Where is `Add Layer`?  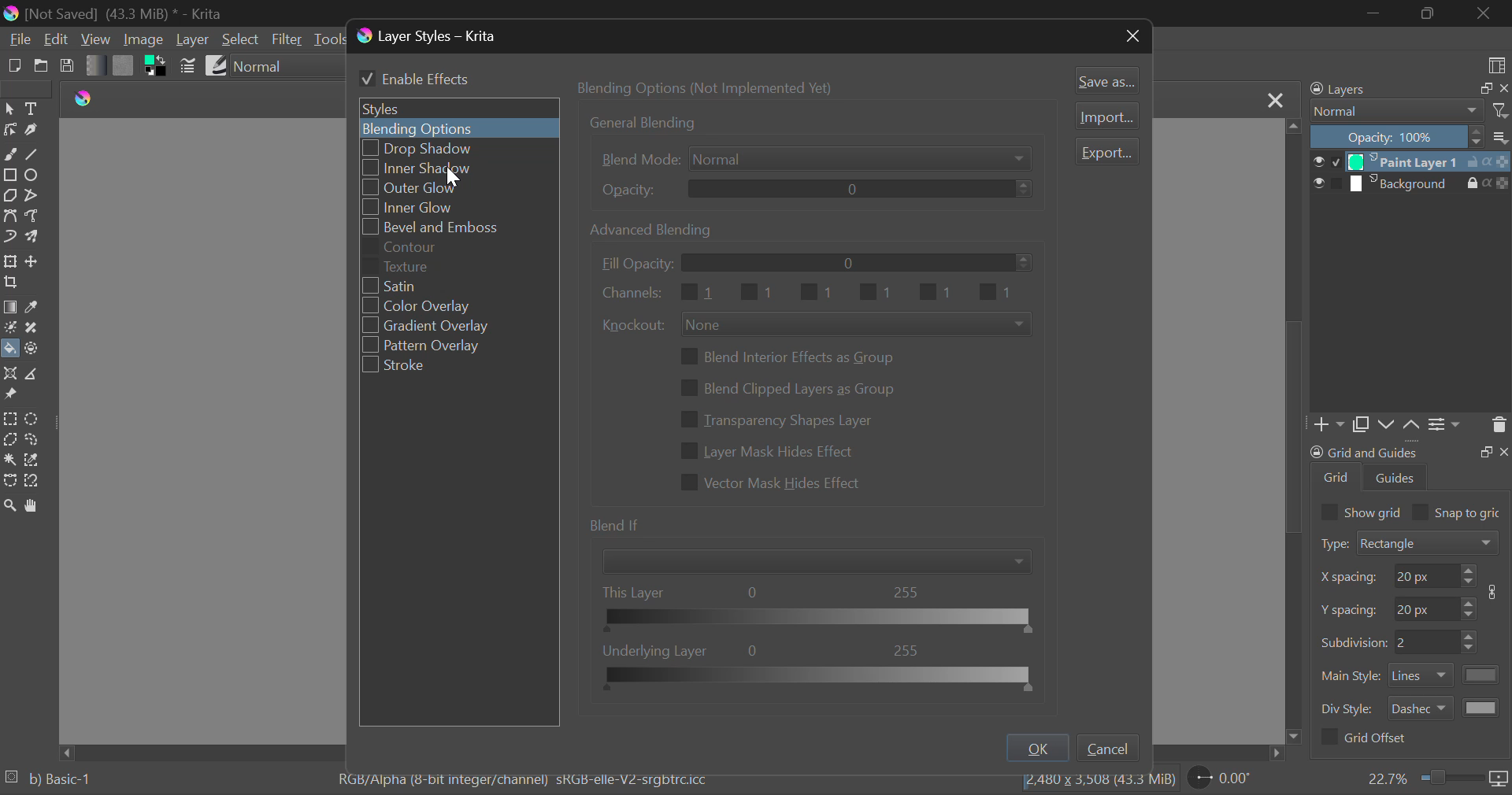
Add Layer is located at coordinates (1331, 426).